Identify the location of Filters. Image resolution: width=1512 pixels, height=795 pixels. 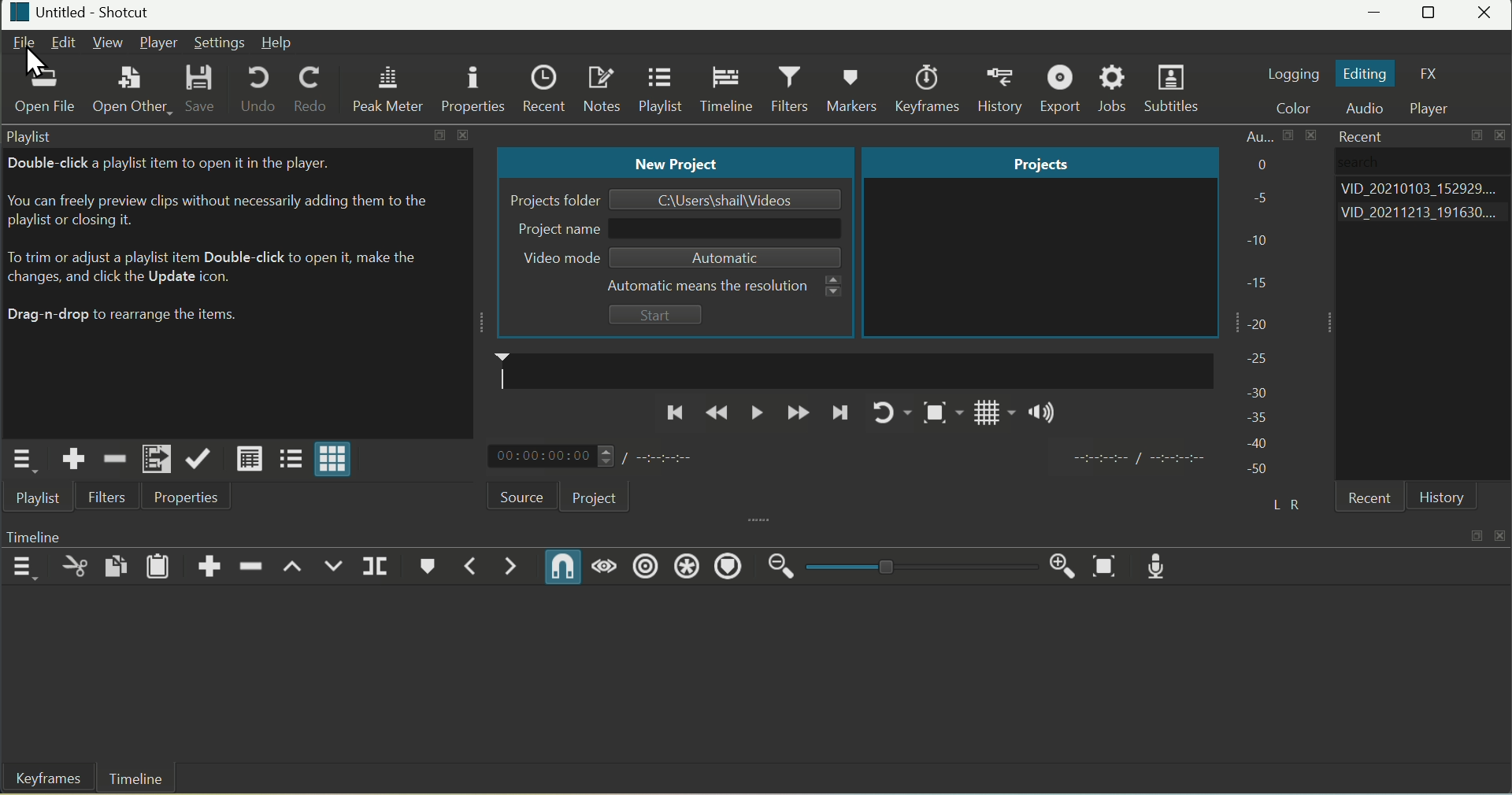
(792, 90).